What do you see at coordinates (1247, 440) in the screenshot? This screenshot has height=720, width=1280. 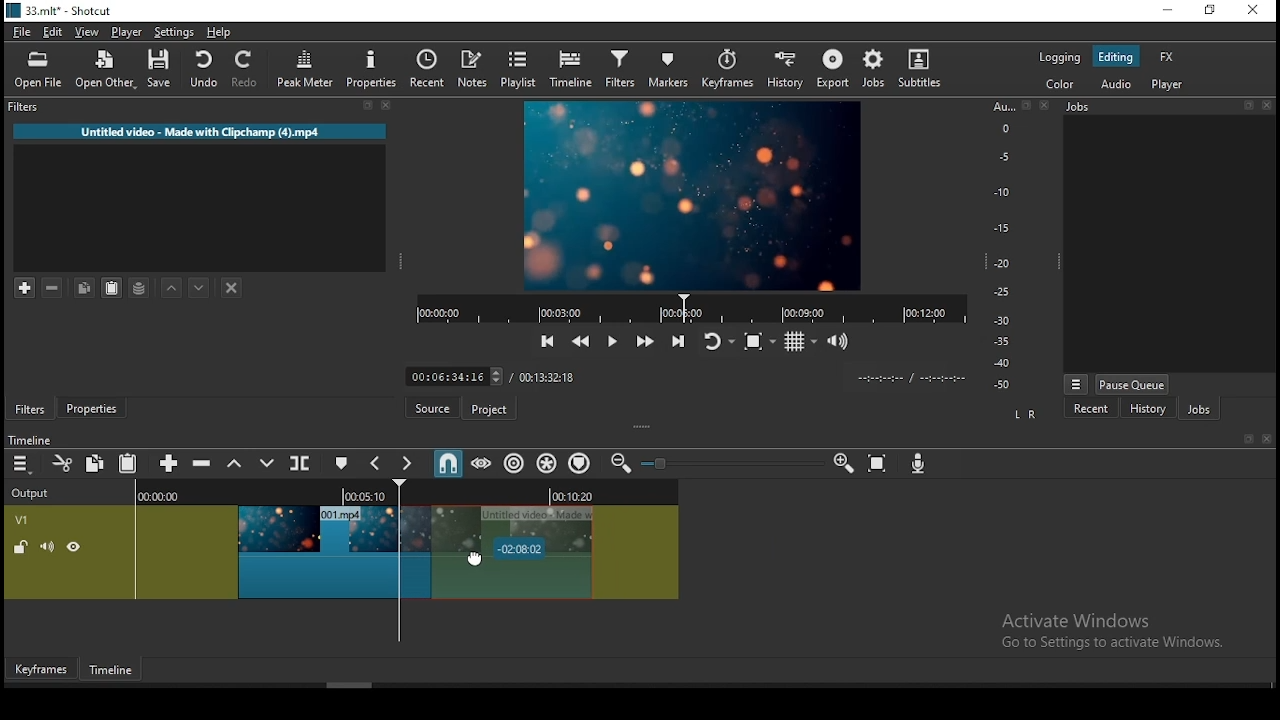 I see `` at bounding box center [1247, 440].